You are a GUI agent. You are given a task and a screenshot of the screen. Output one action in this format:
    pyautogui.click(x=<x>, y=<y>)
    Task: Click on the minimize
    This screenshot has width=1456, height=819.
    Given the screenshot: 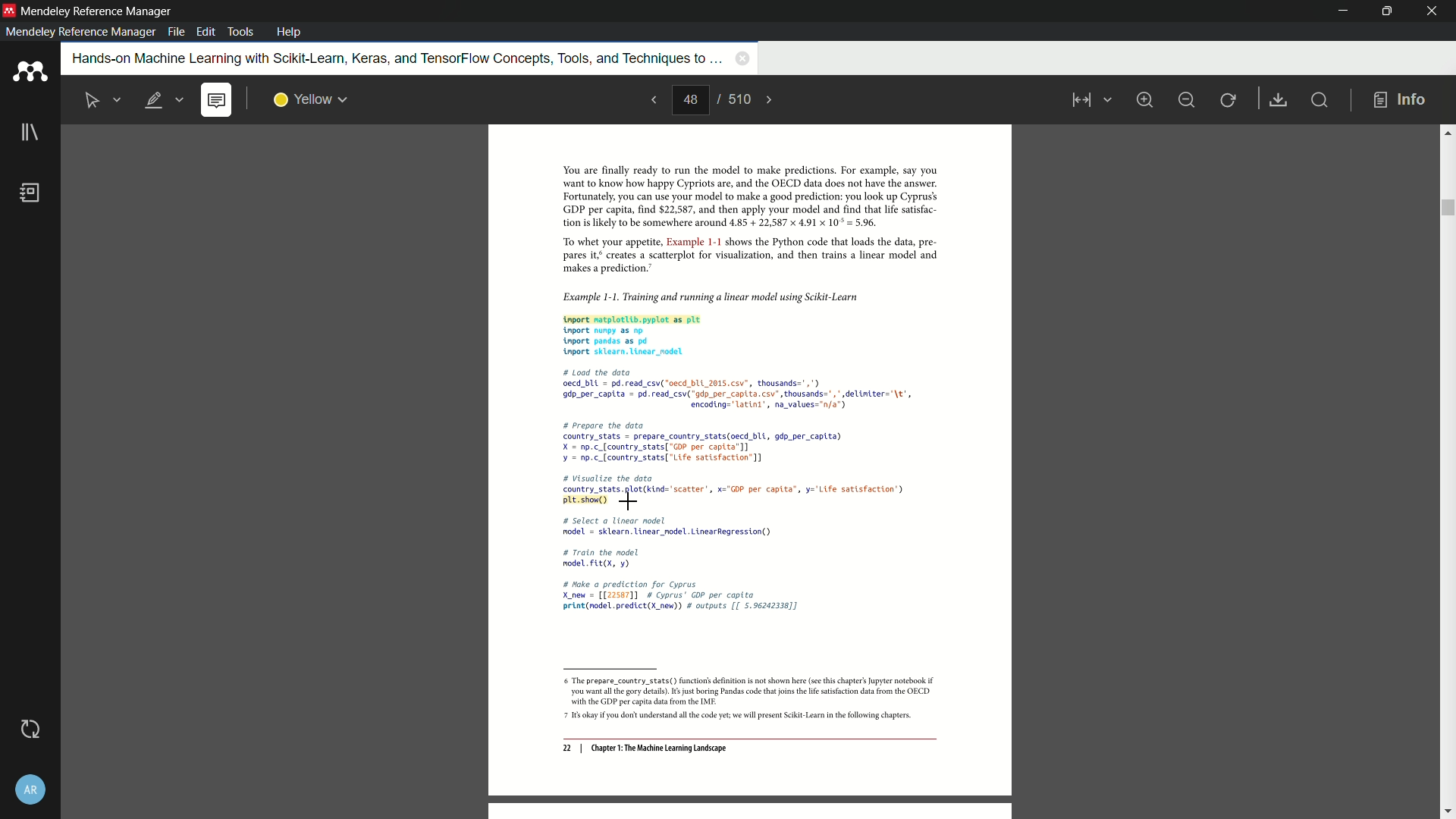 What is the action you would take?
    pyautogui.click(x=1186, y=100)
    